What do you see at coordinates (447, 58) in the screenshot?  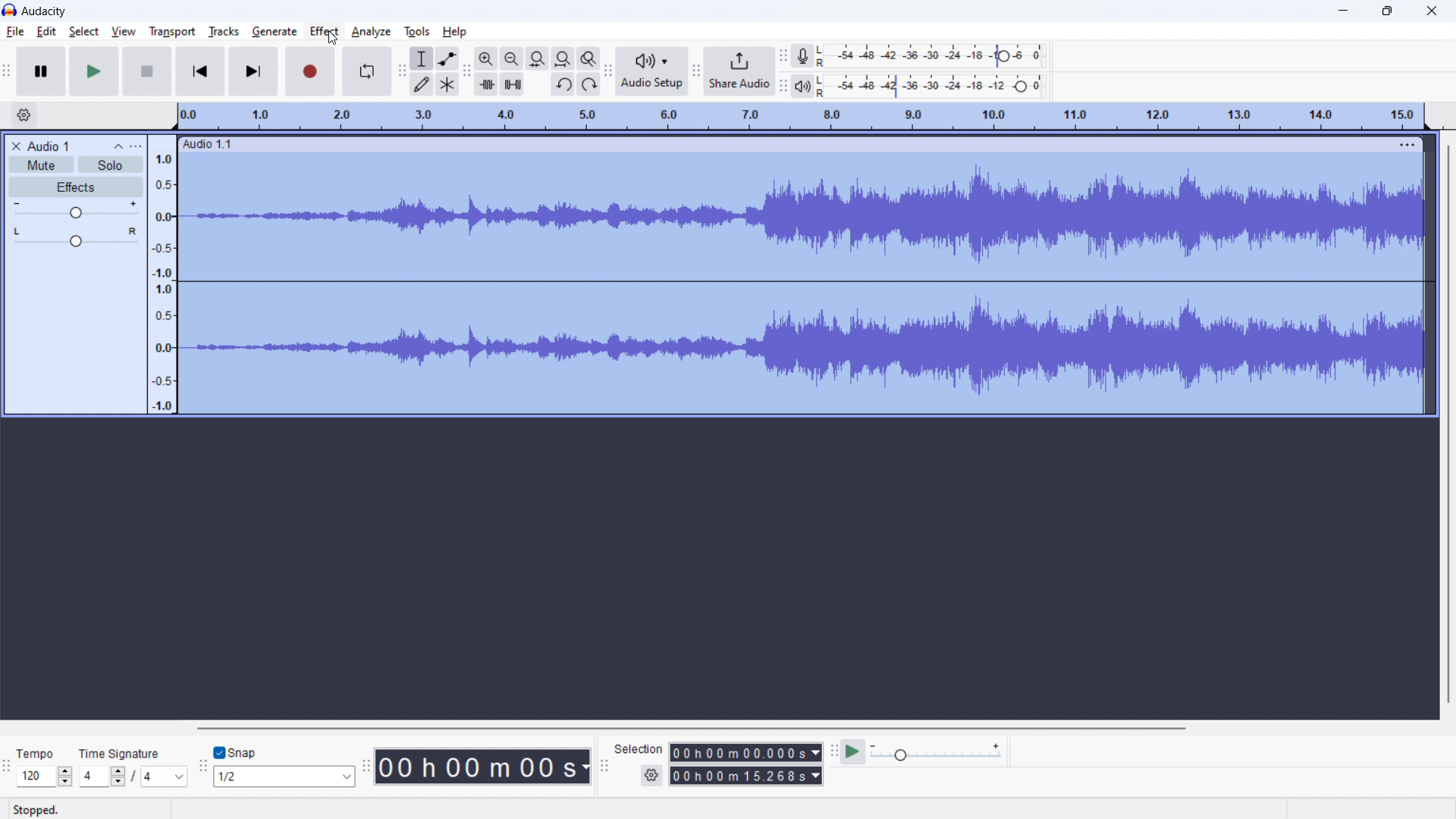 I see `envelop tool` at bounding box center [447, 58].